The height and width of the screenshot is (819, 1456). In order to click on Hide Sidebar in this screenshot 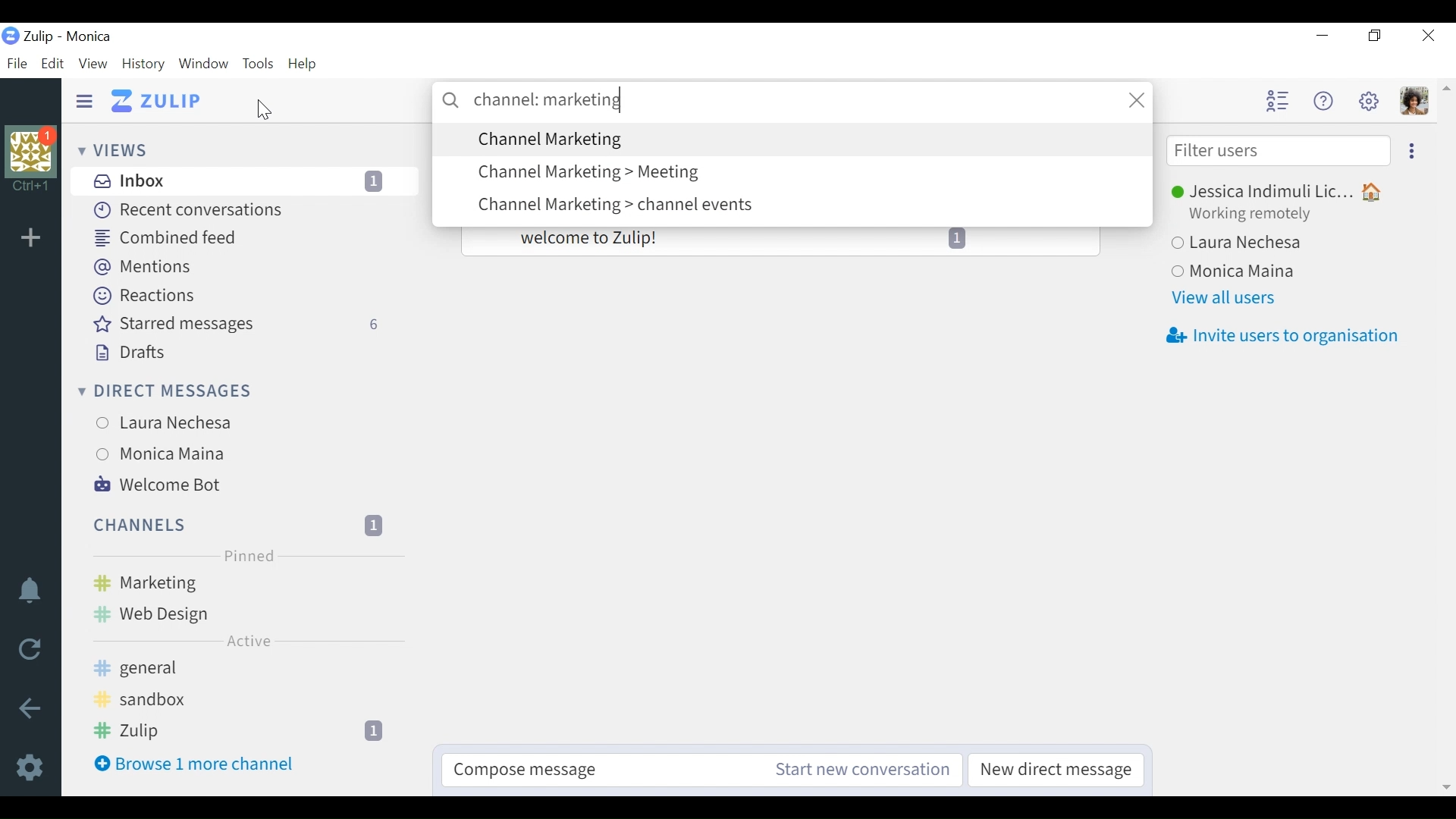, I will do `click(83, 101)`.